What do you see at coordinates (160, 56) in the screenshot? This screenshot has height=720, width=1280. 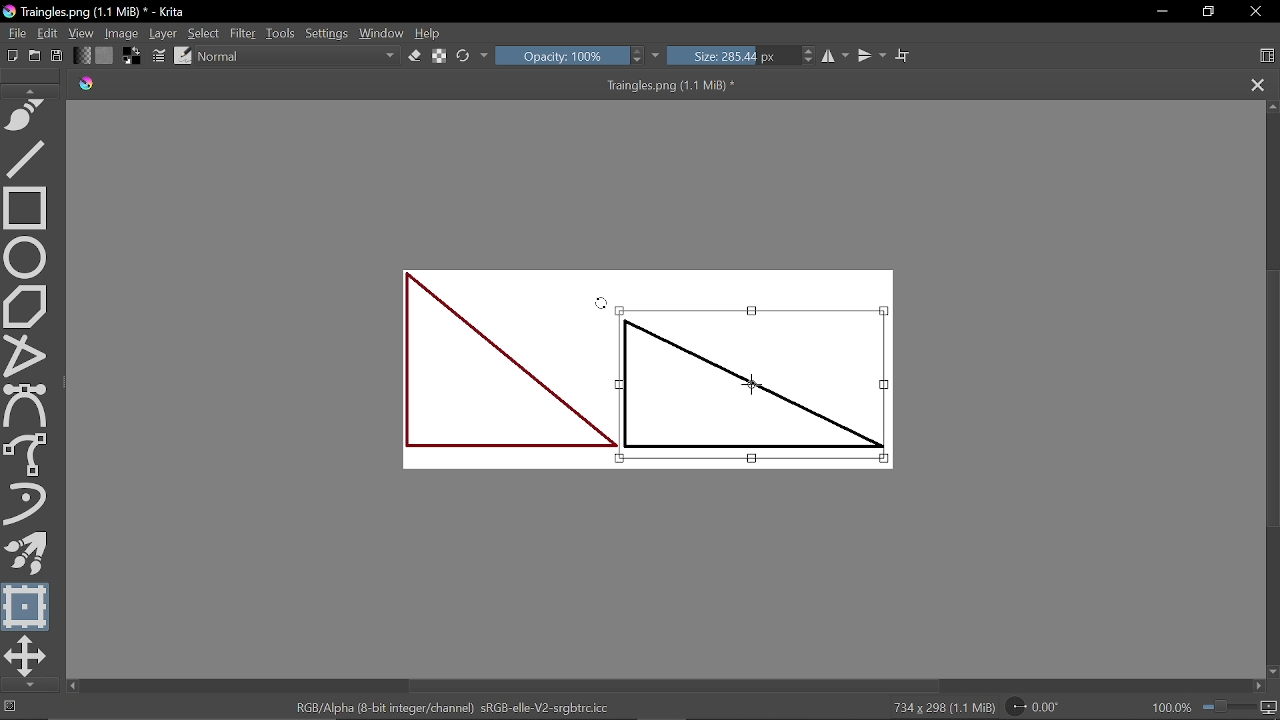 I see `Edit brush settings` at bounding box center [160, 56].